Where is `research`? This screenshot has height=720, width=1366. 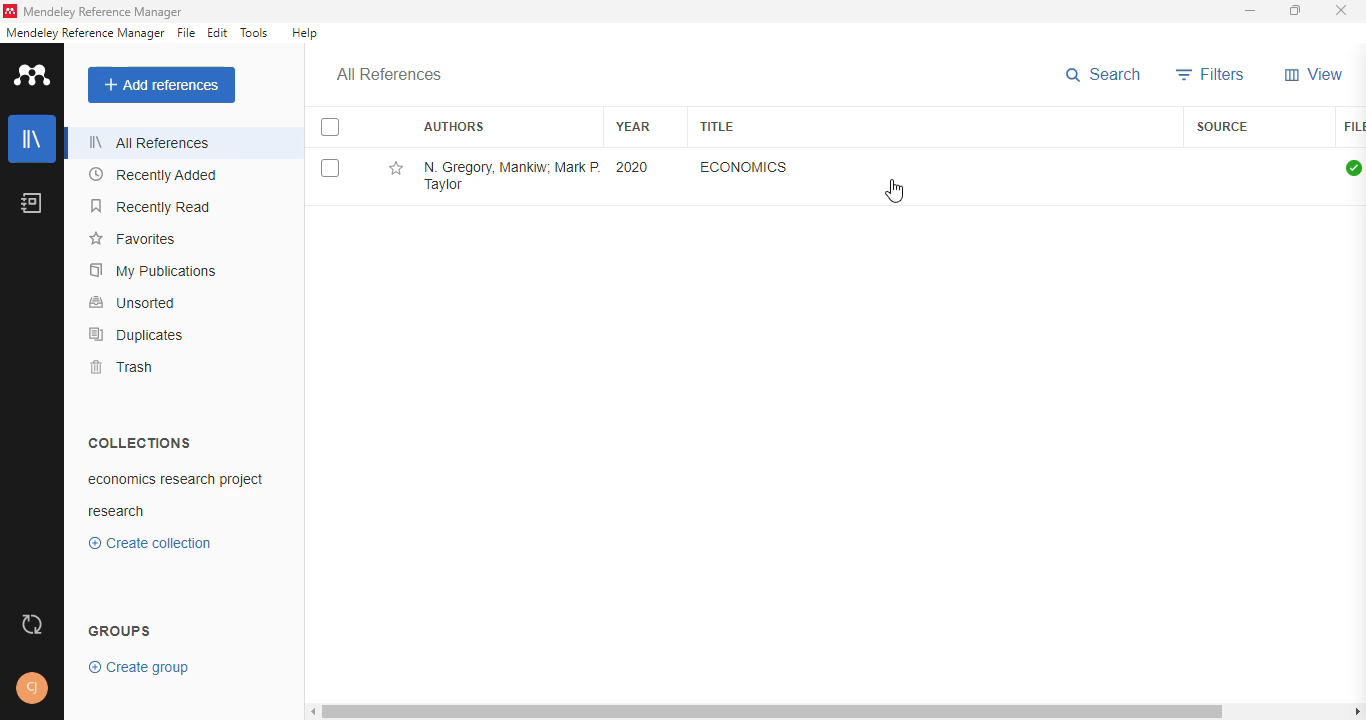
research is located at coordinates (117, 512).